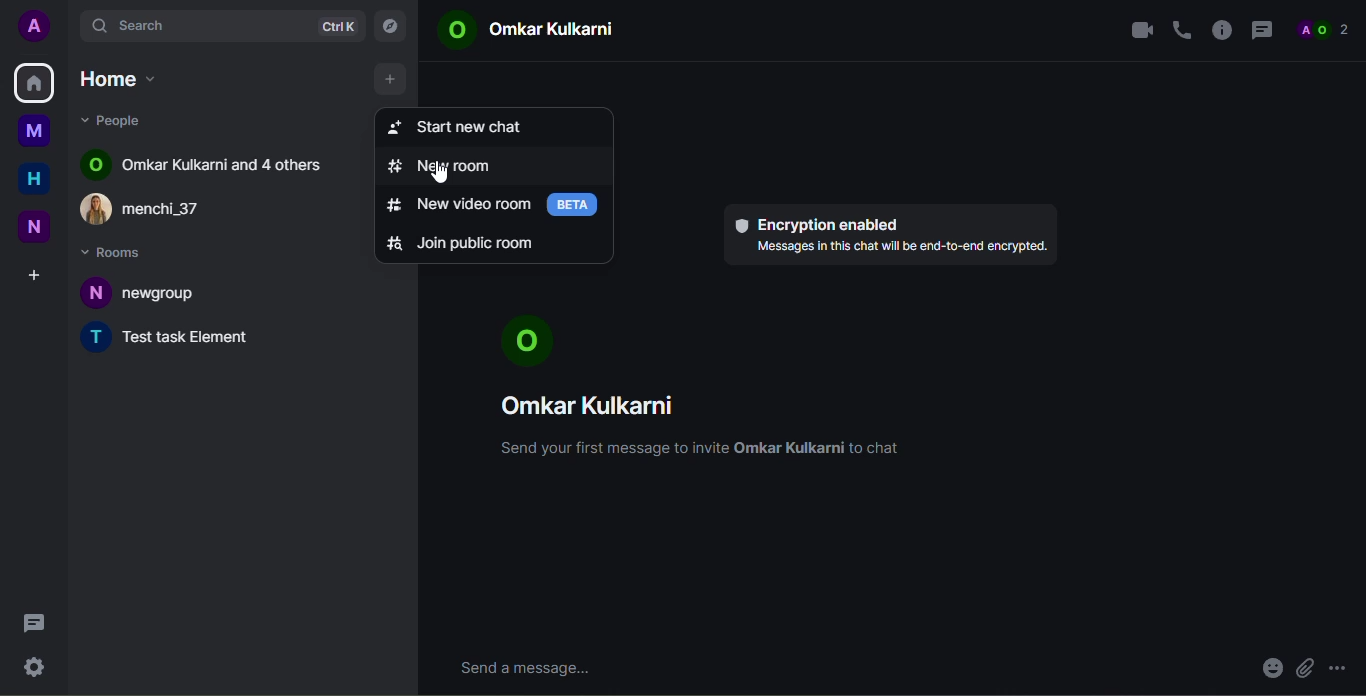 Image resolution: width=1366 pixels, height=696 pixels. I want to click on people, so click(120, 120).